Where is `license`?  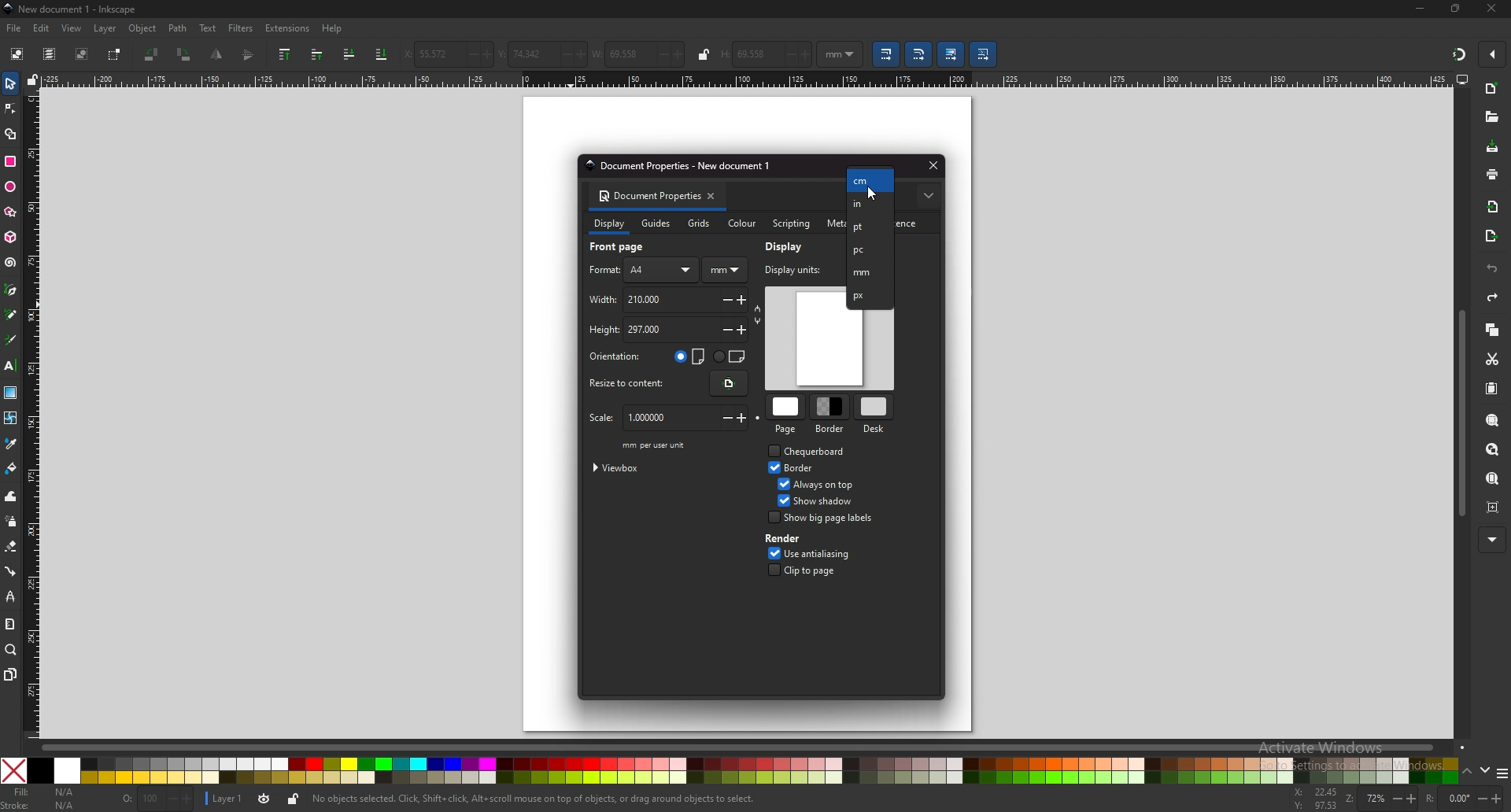
license is located at coordinates (911, 223).